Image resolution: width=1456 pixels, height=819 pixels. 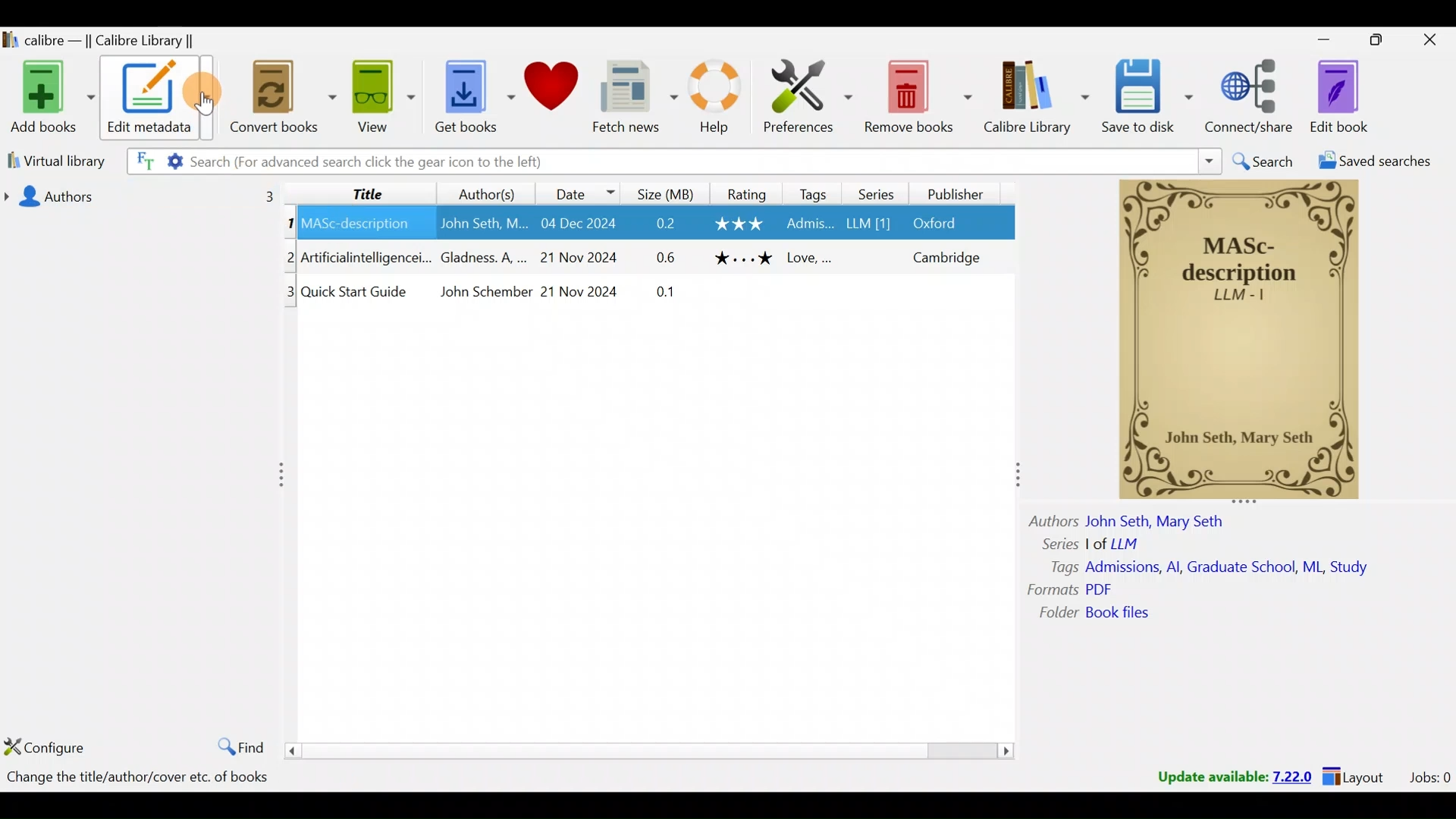 I want to click on , so click(x=289, y=293).